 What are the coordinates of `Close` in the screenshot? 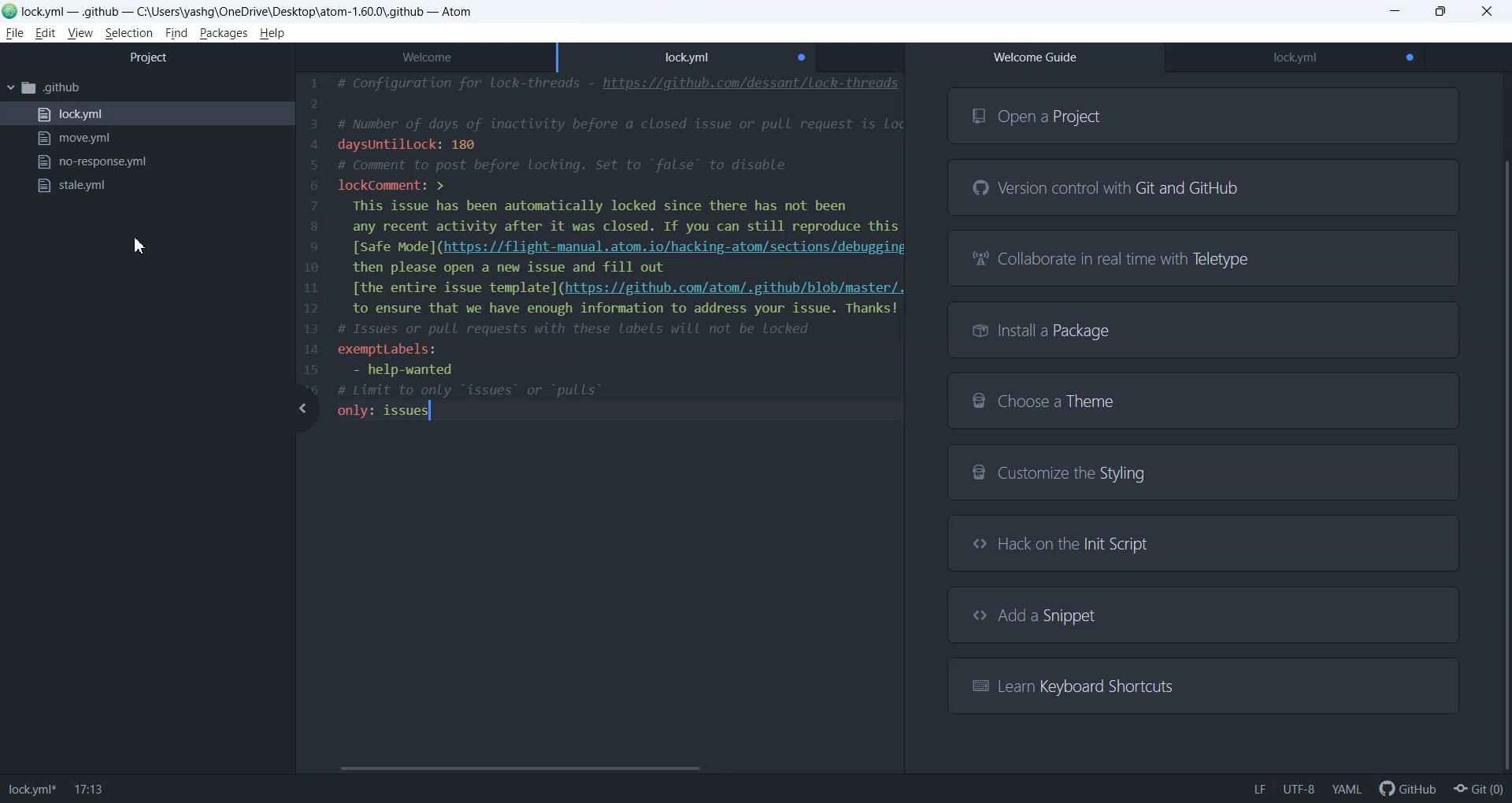 It's located at (1488, 11).